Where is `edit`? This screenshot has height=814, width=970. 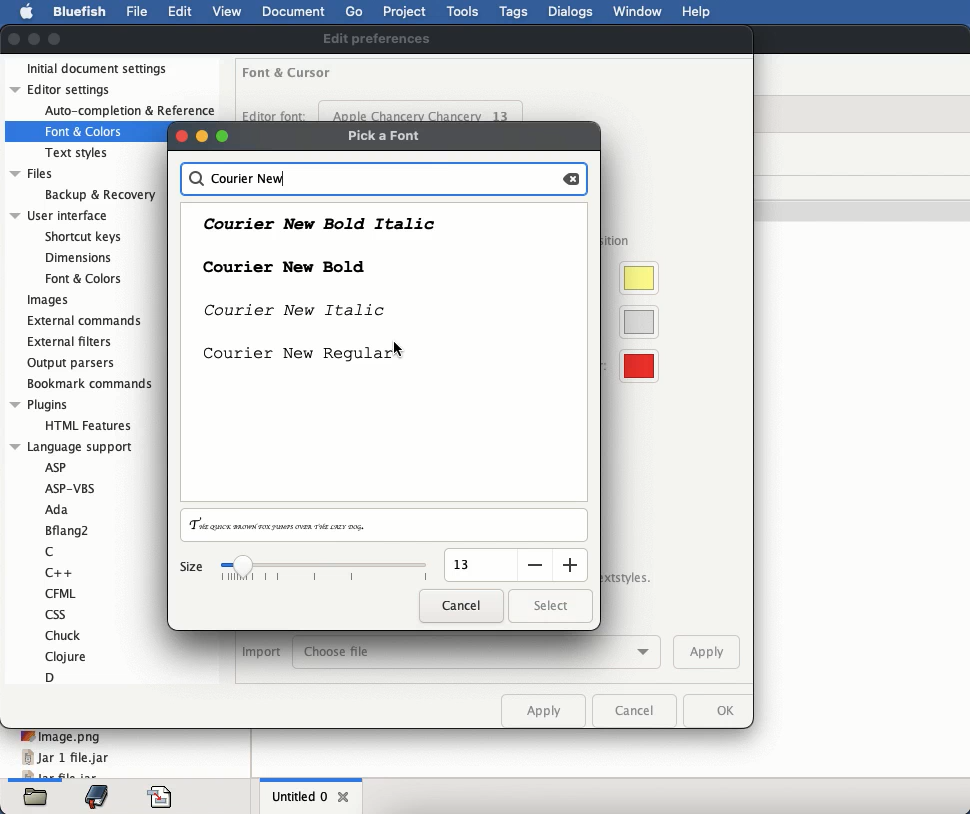 edit is located at coordinates (179, 11).